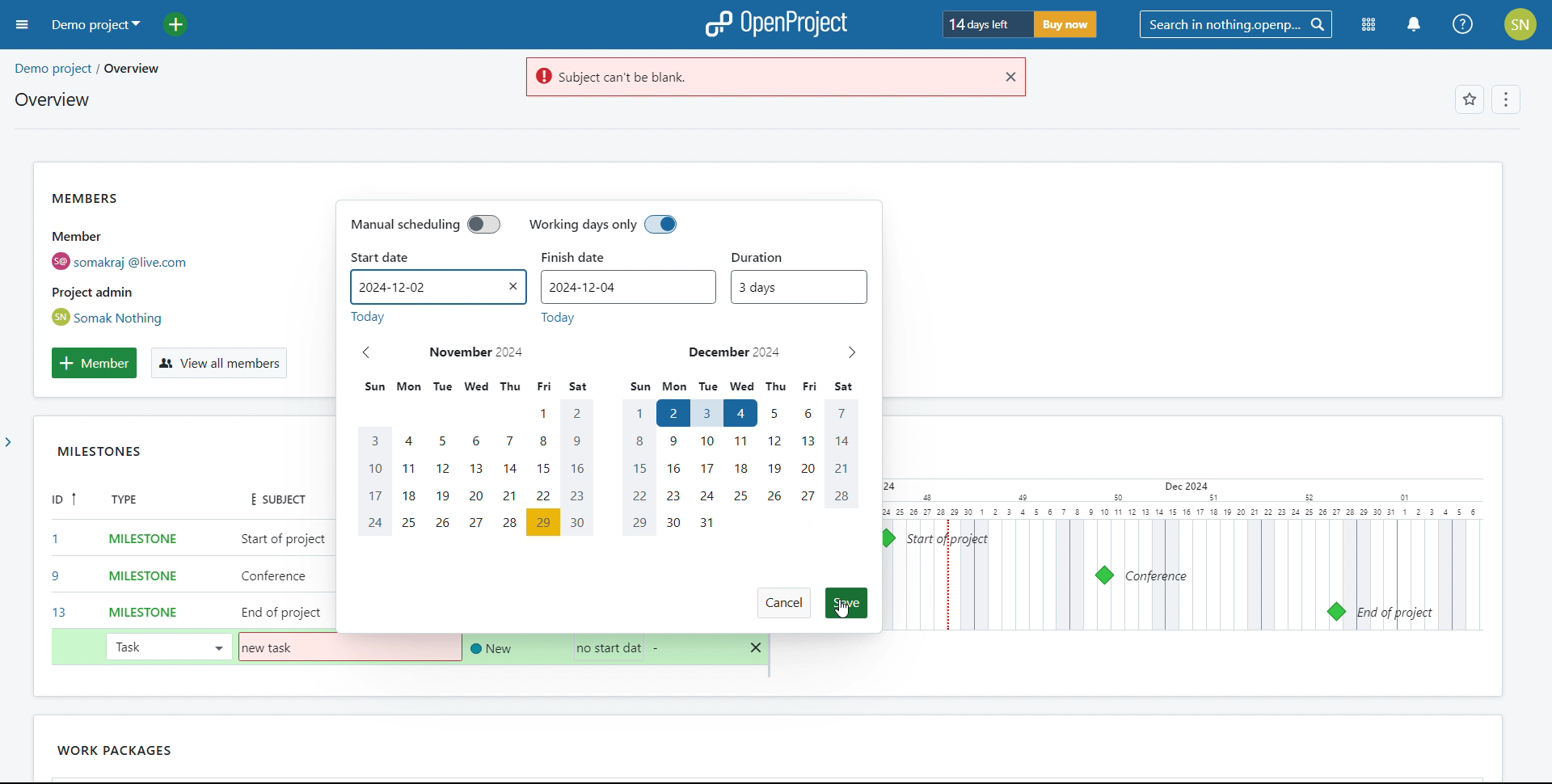  I want to click on task selected, so click(167, 646).